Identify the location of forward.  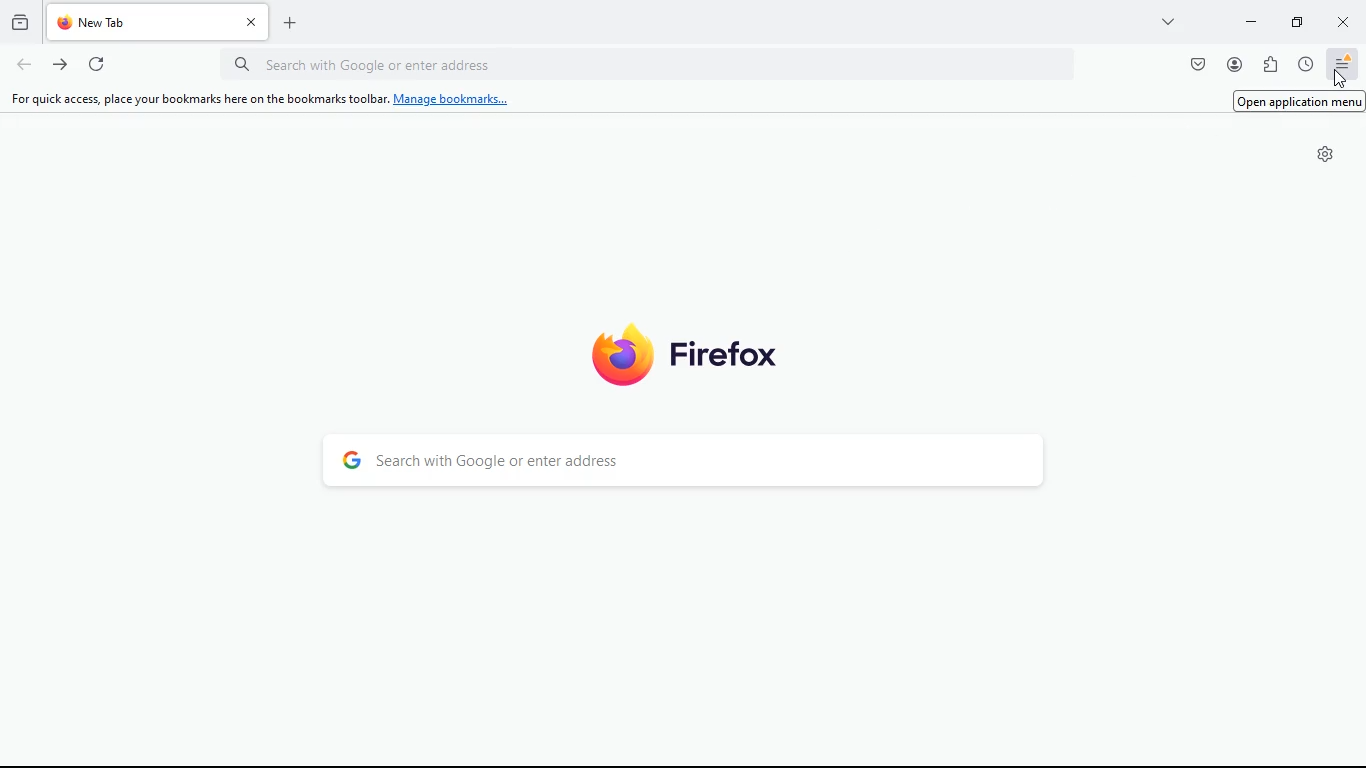
(59, 64).